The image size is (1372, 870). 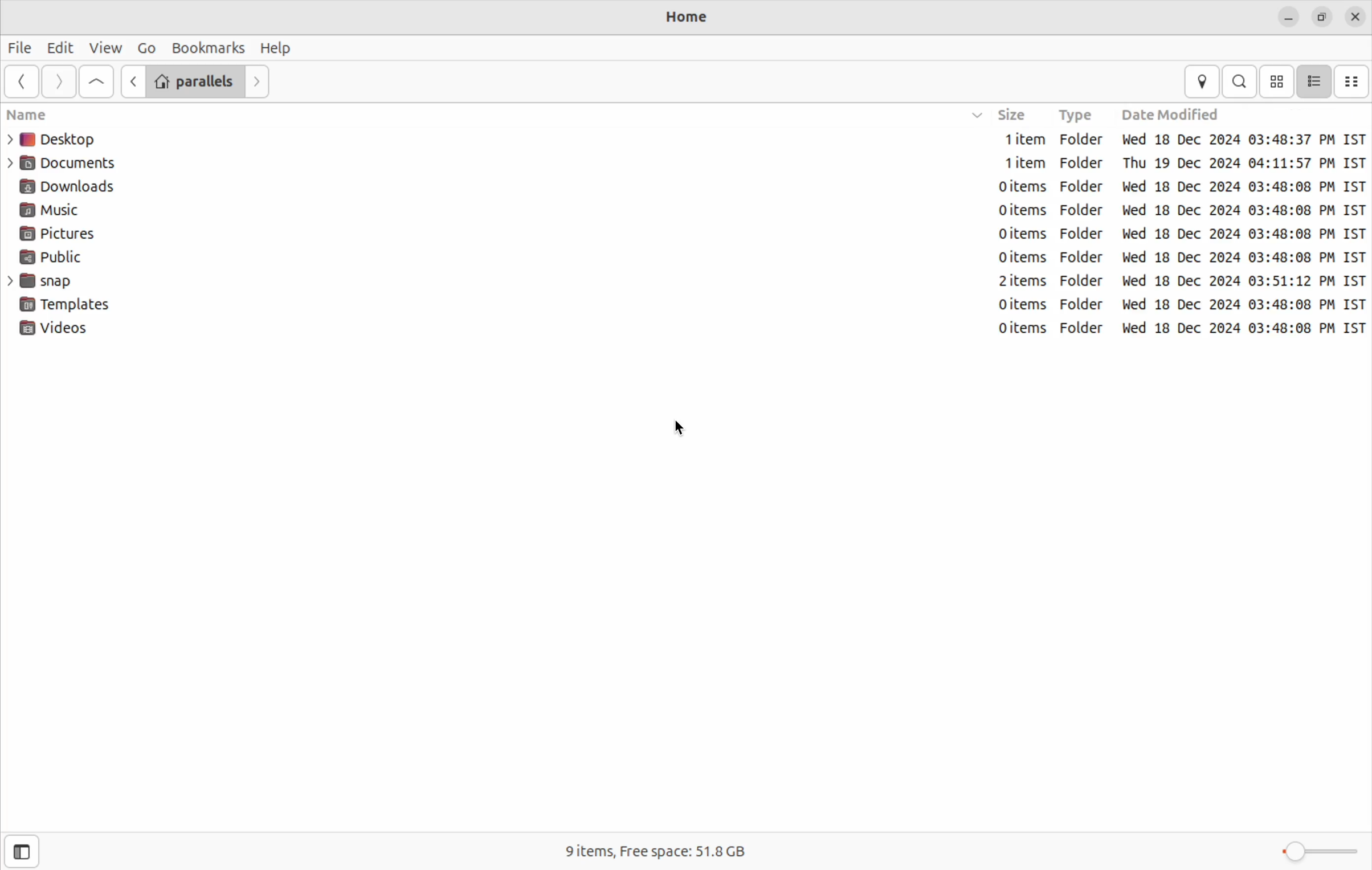 I want to click on Type, so click(x=1074, y=114).